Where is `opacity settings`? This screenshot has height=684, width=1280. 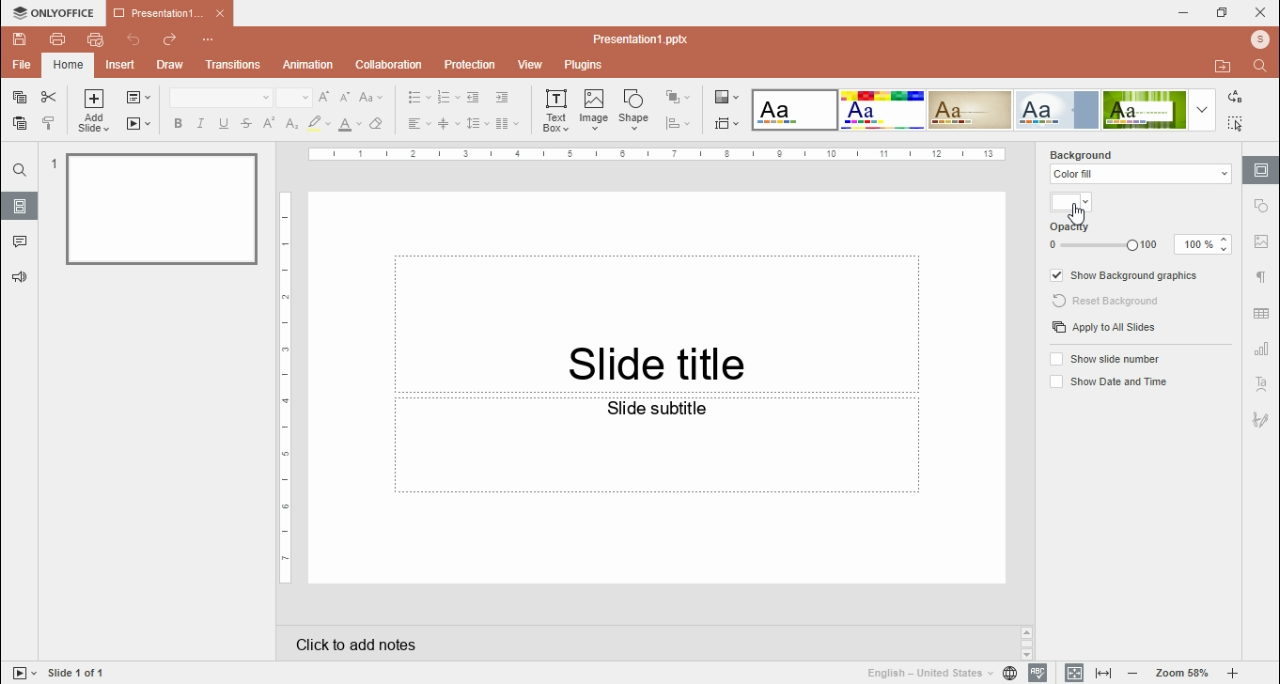
opacity settings is located at coordinates (1137, 238).